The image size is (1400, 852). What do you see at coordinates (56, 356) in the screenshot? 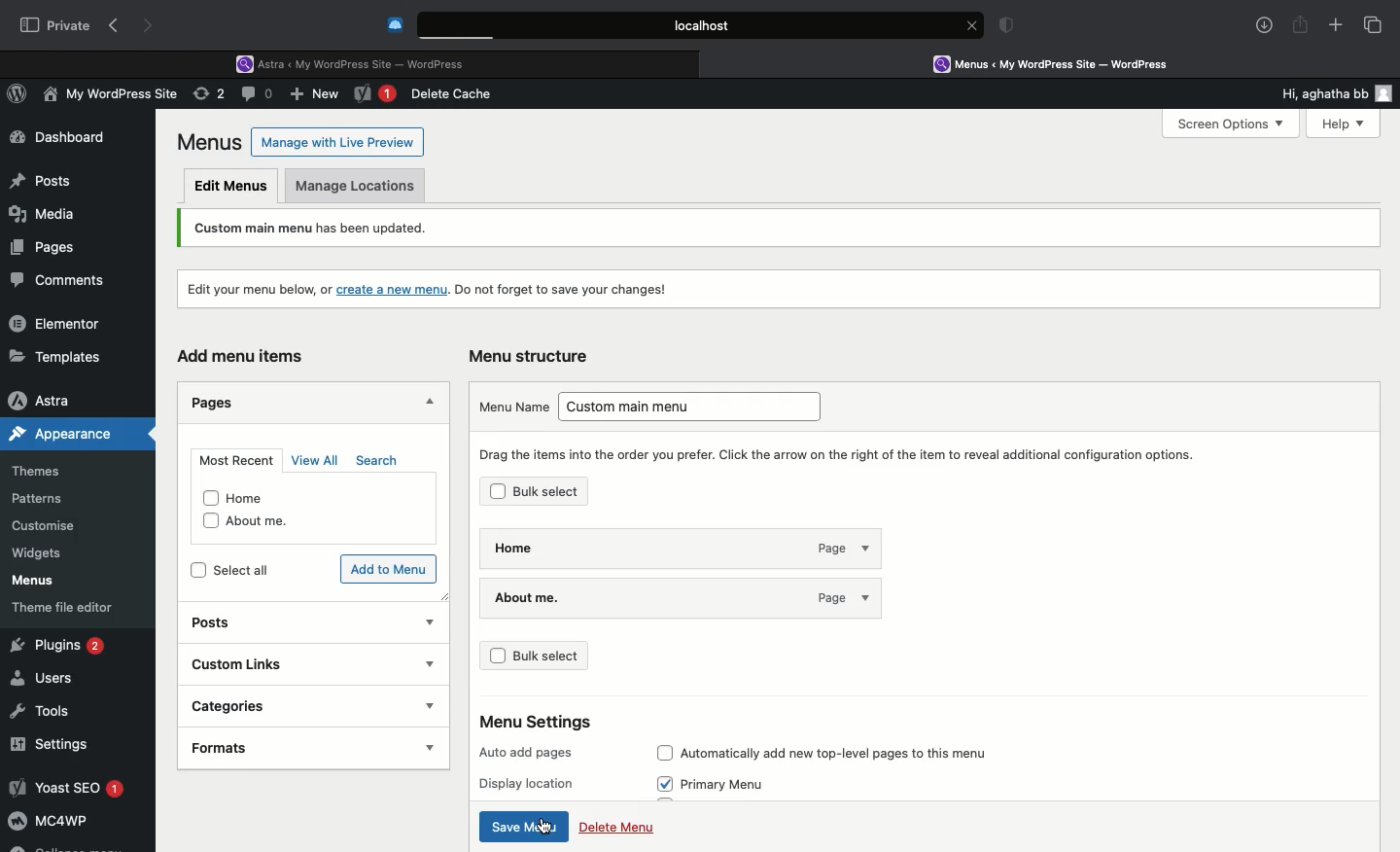
I see `Templates` at bounding box center [56, 356].